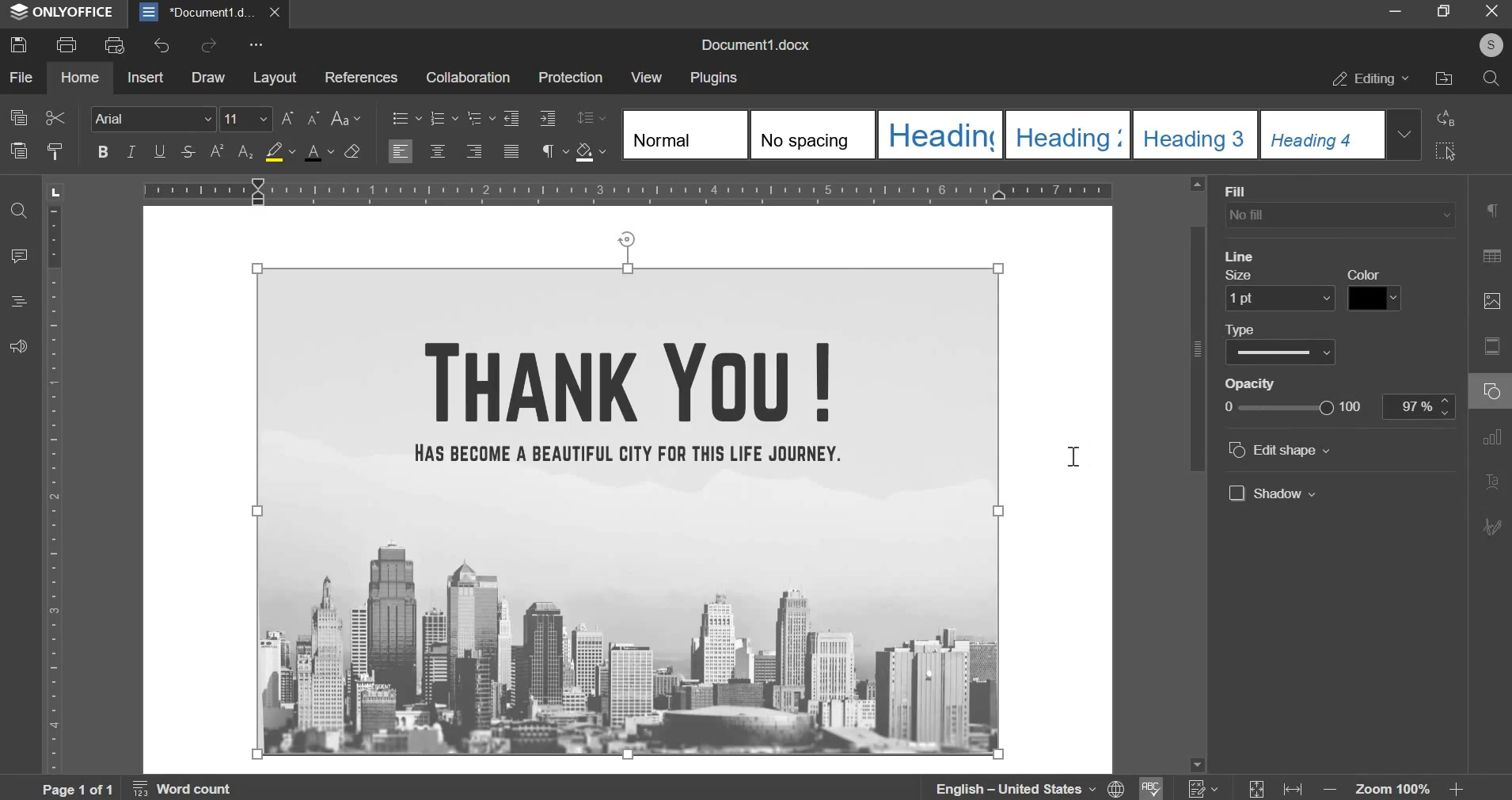 This screenshot has height=800, width=1512. I want to click on line spacing, so click(593, 117).